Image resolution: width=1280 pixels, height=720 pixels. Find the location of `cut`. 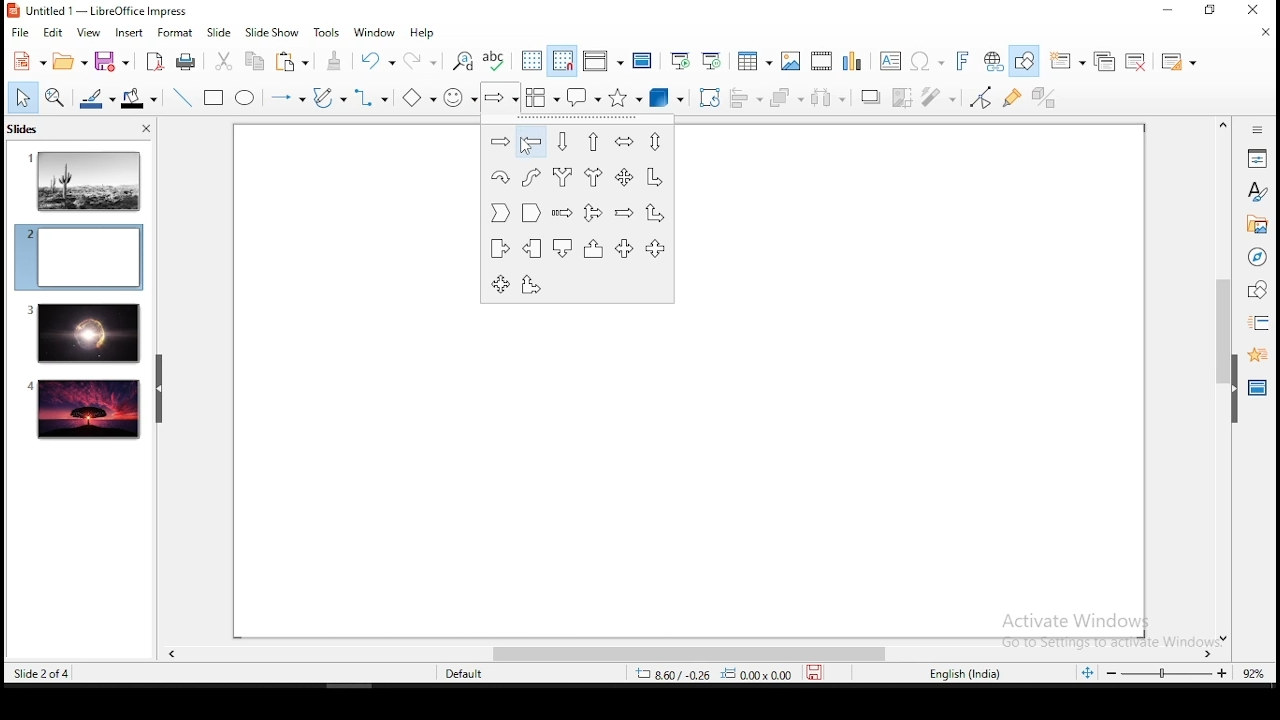

cut is located at coordinates (222, 60).